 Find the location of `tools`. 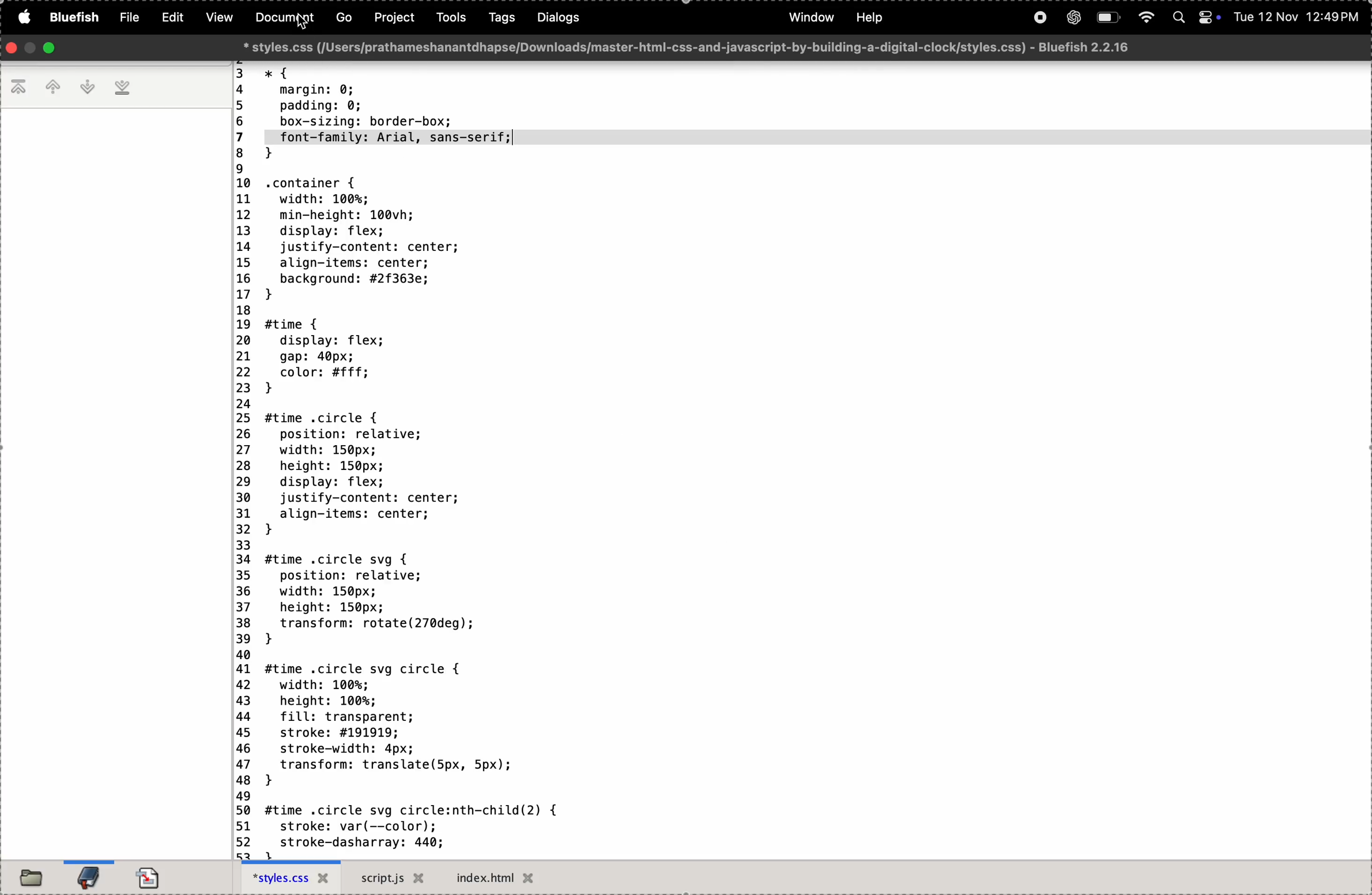

tools is located at coordinates (447, 18).